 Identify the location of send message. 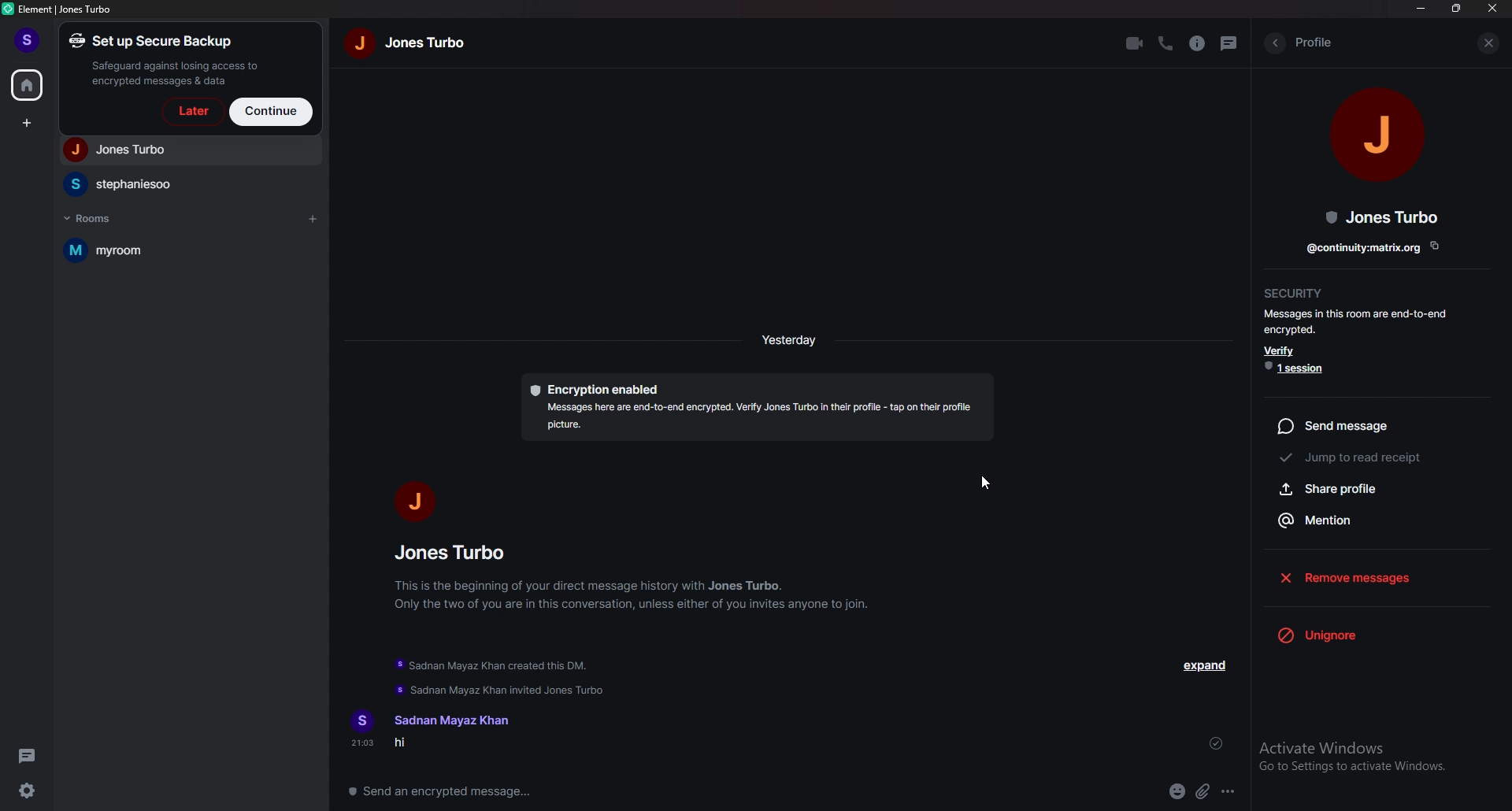
(1372, 424).